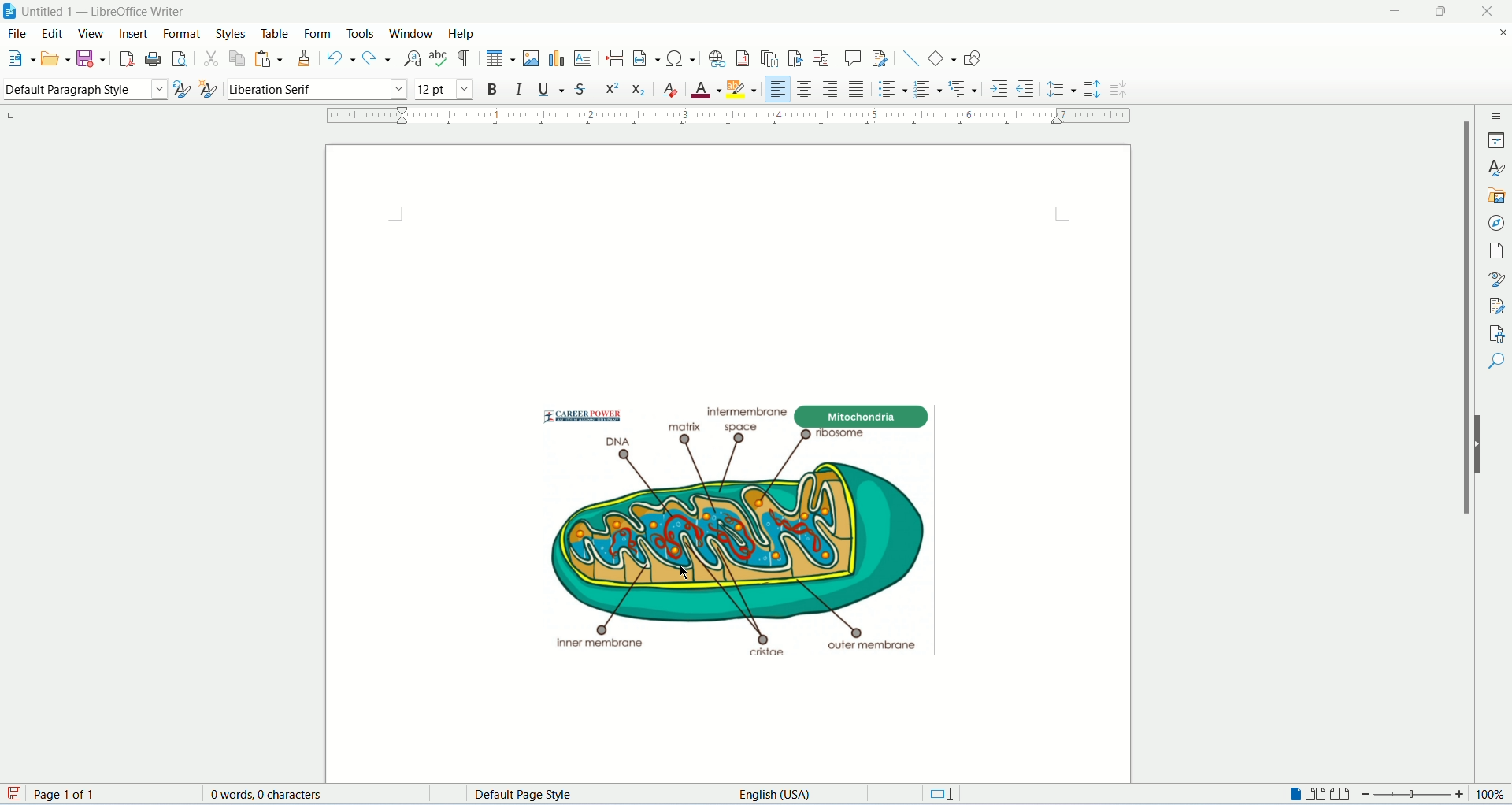  Describe the element at coordinates (305, 59) in the screenshot. I see `clone formatting` at that location.